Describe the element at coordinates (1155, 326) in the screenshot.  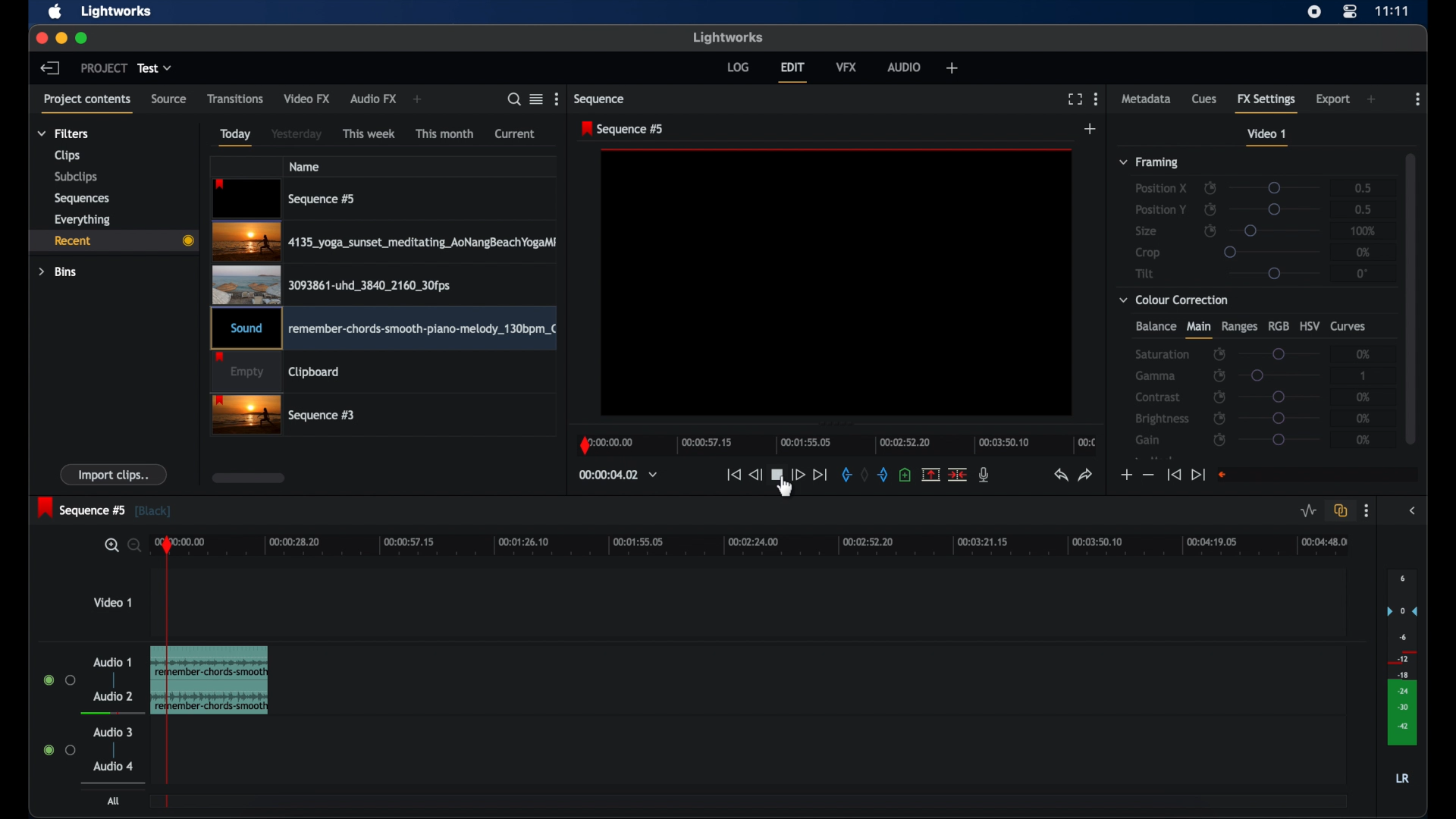
I see `balance` at that location.